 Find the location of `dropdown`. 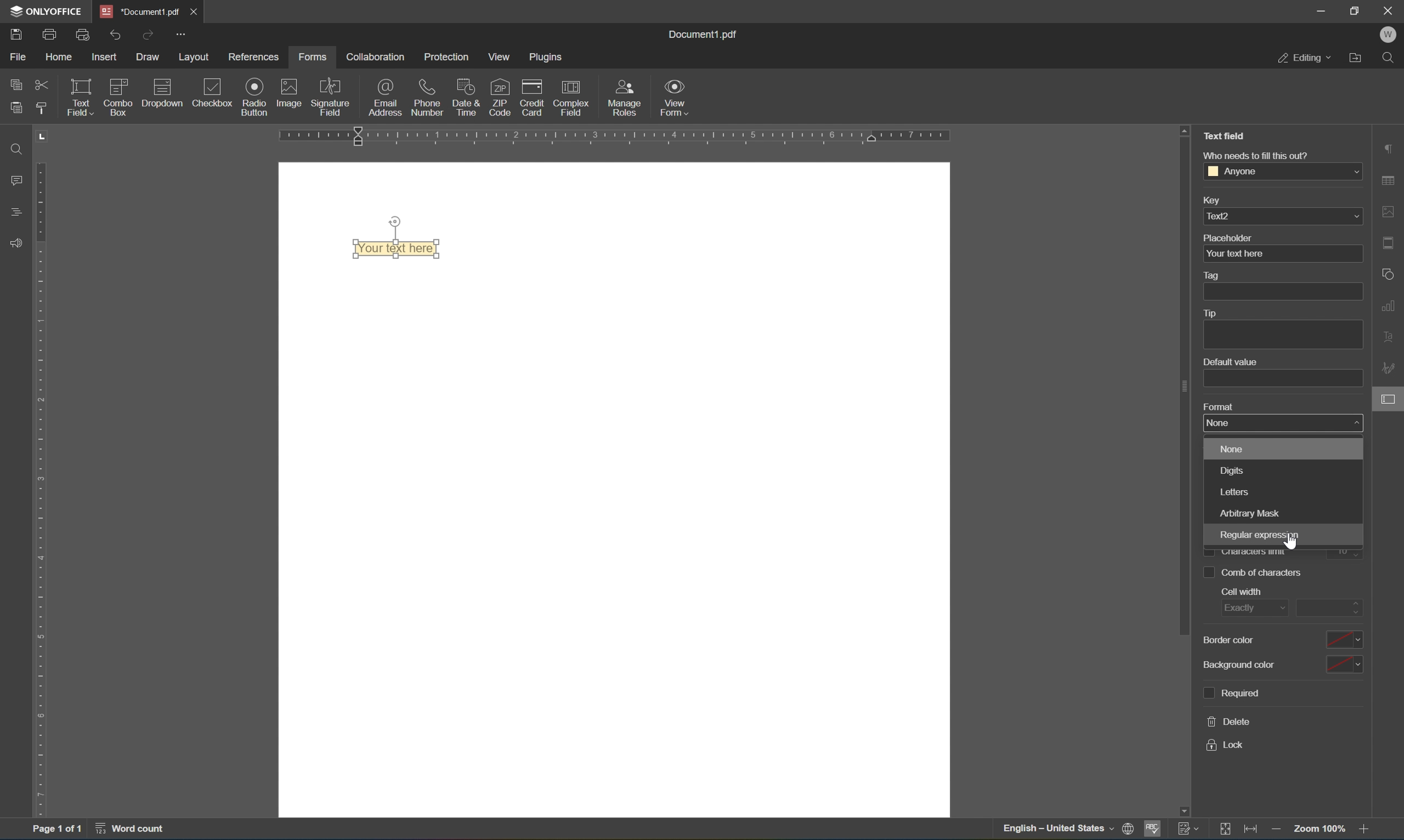

dropdown is located at coordinates (161, 96).